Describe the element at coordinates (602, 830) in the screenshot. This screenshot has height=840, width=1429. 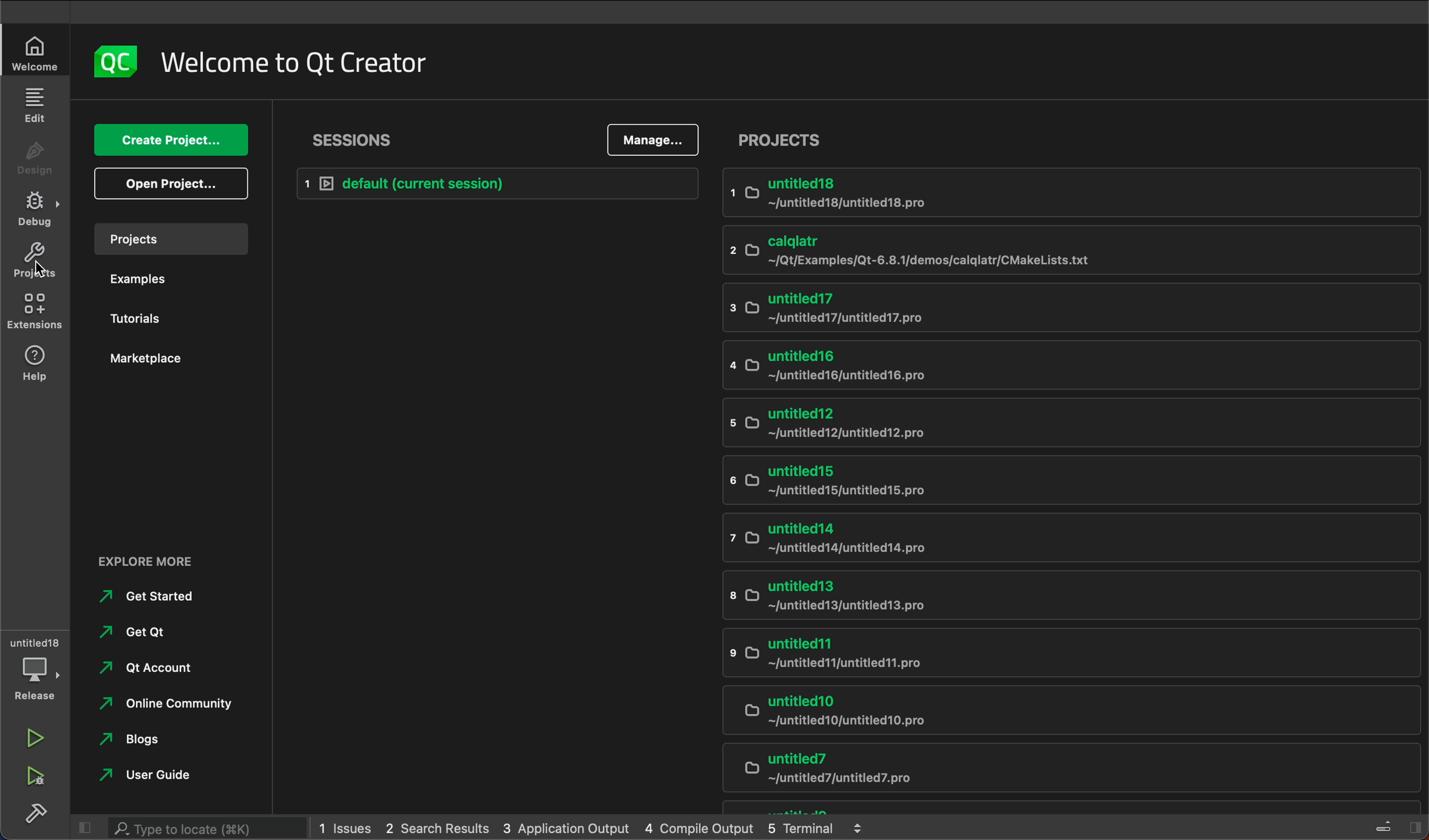
I see `logs` at that location.